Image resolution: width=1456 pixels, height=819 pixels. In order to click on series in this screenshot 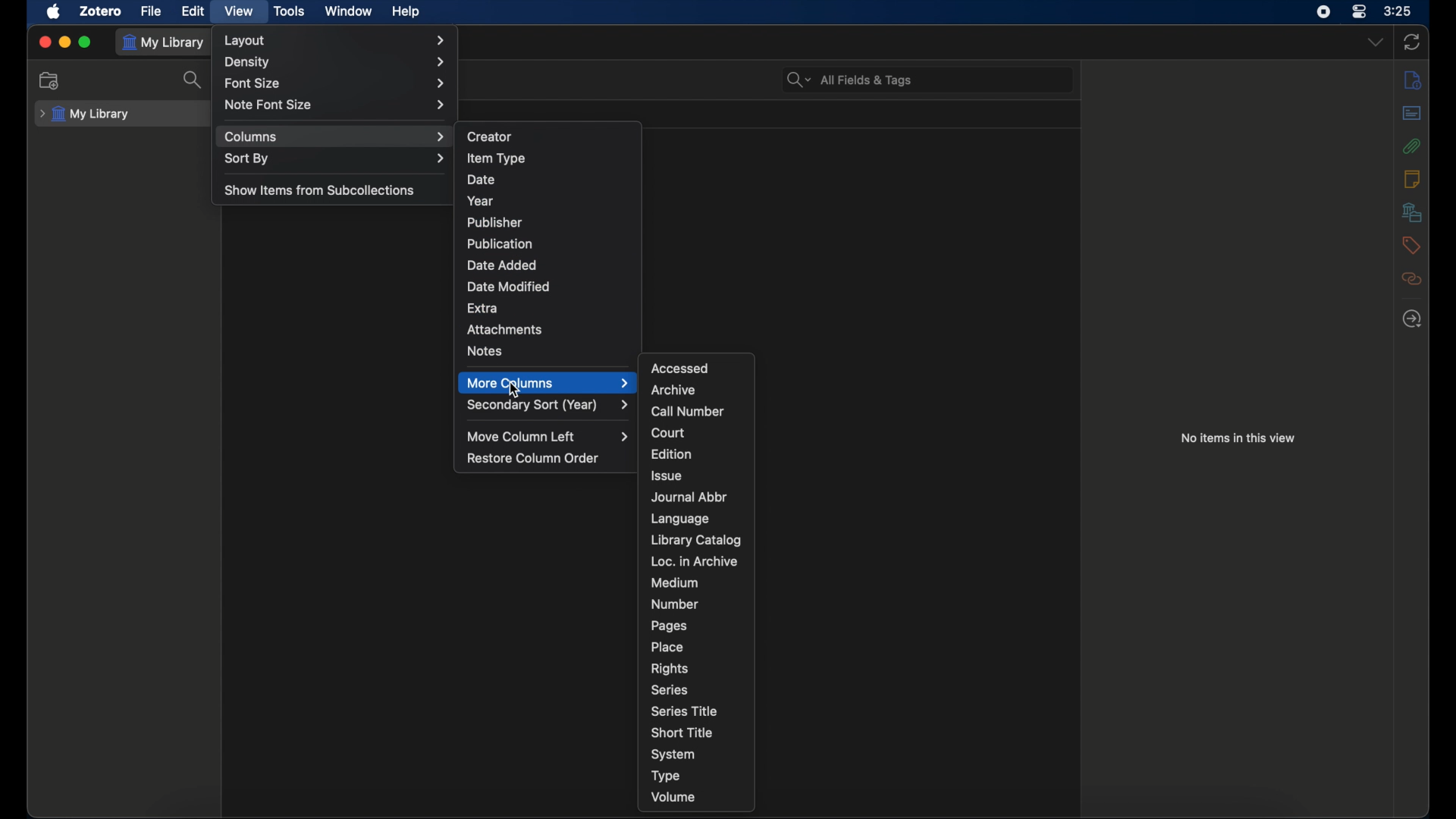, I will do `click(670, 689)`.